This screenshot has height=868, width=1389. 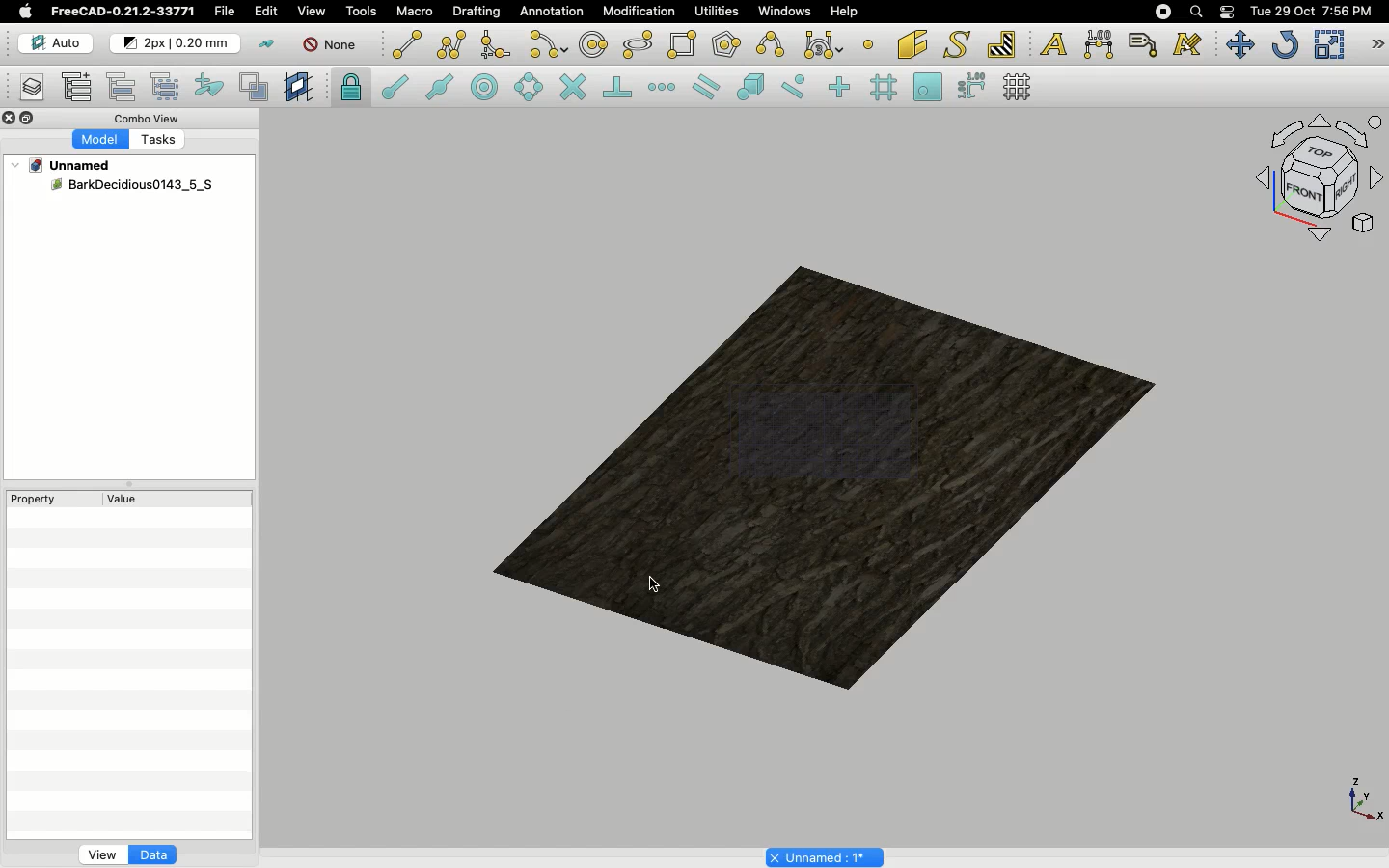 I want to click on Shape from text, so click(x=960, y=46).